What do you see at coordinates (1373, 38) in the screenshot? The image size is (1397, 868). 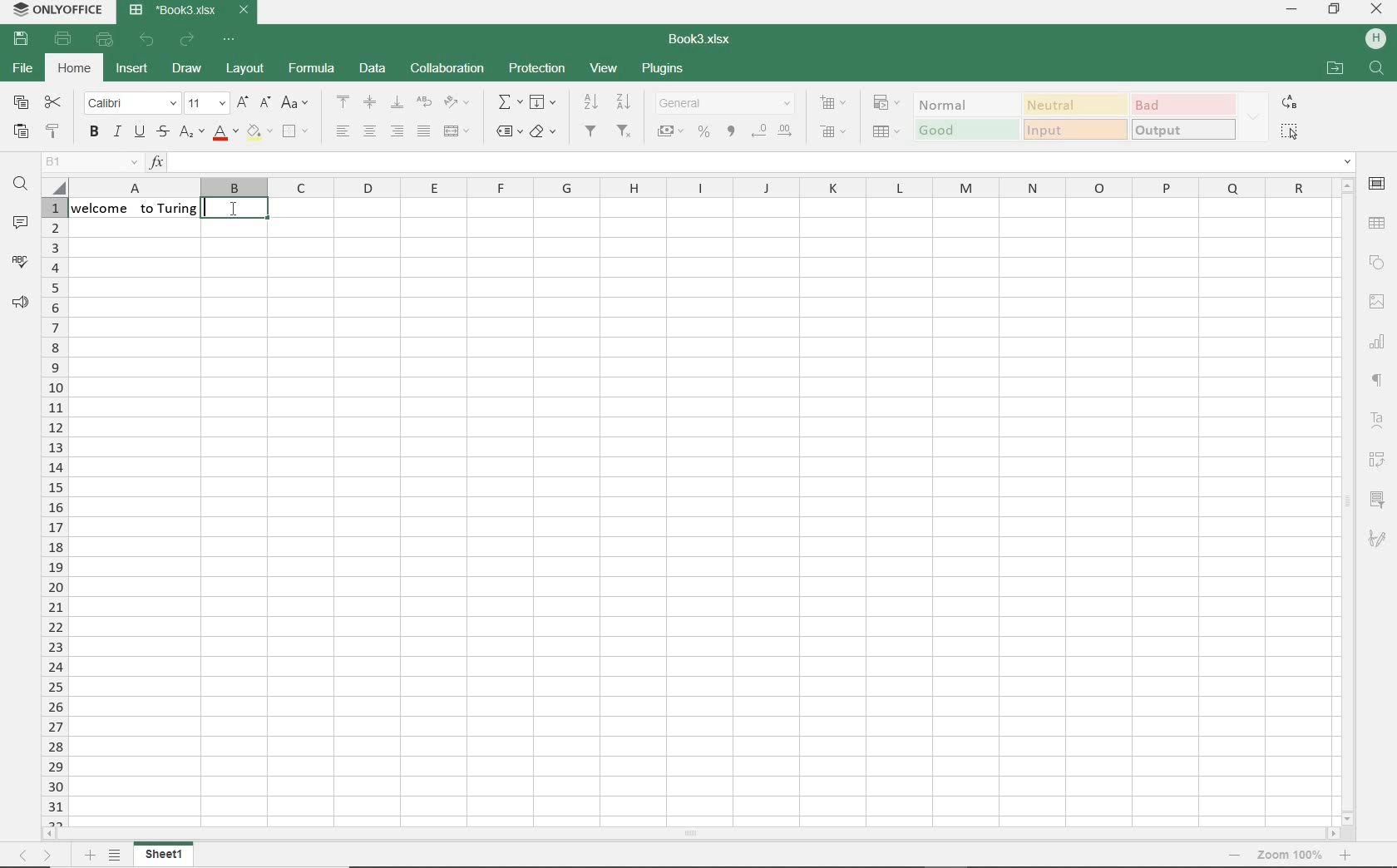 I see `HP` at bounding box center [1373, 38].